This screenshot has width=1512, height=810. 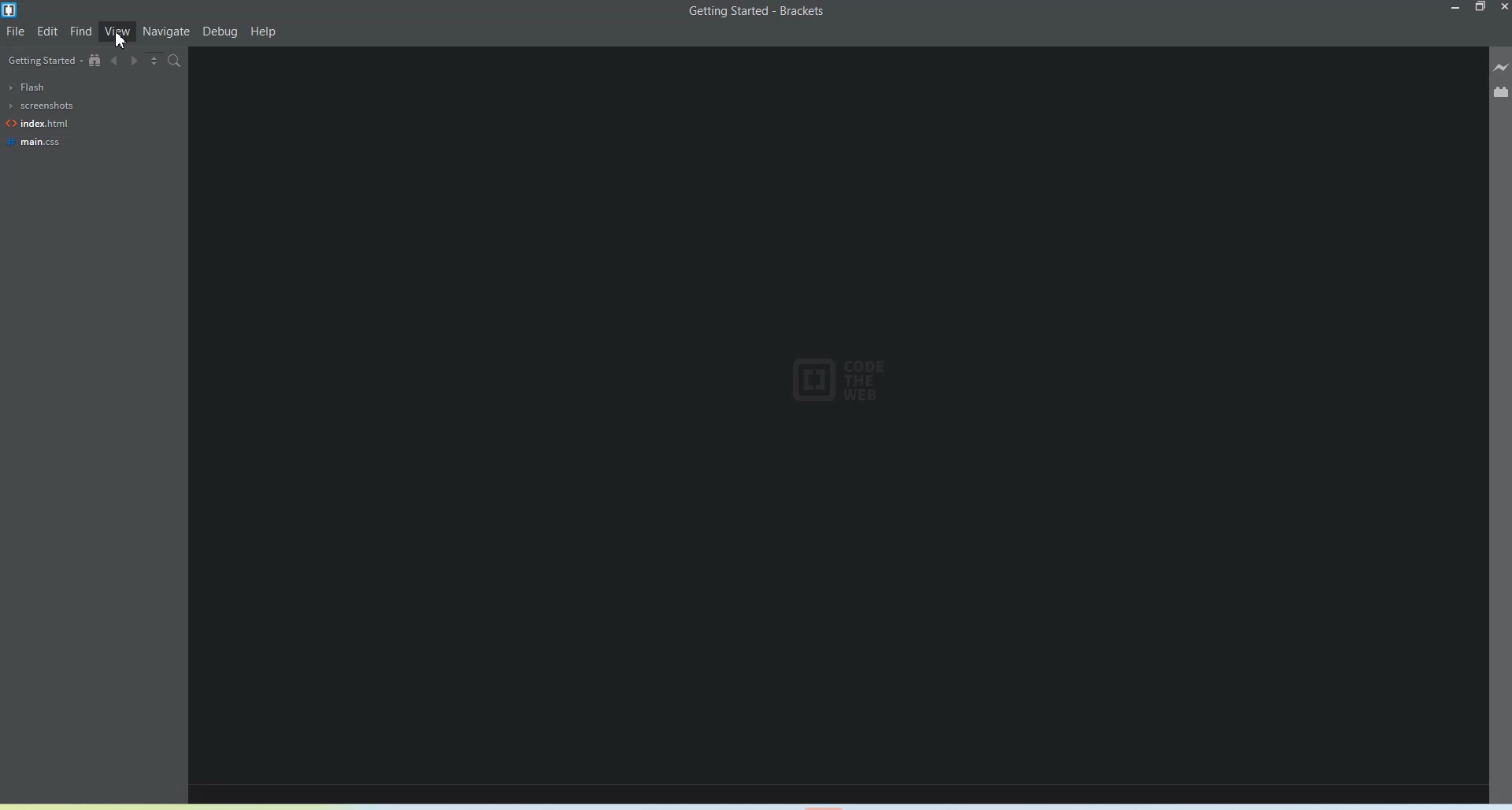 What do you see at coordinates (176, 61) in the screenshot?
I see `Find in files` at bounding box center [176, 61].